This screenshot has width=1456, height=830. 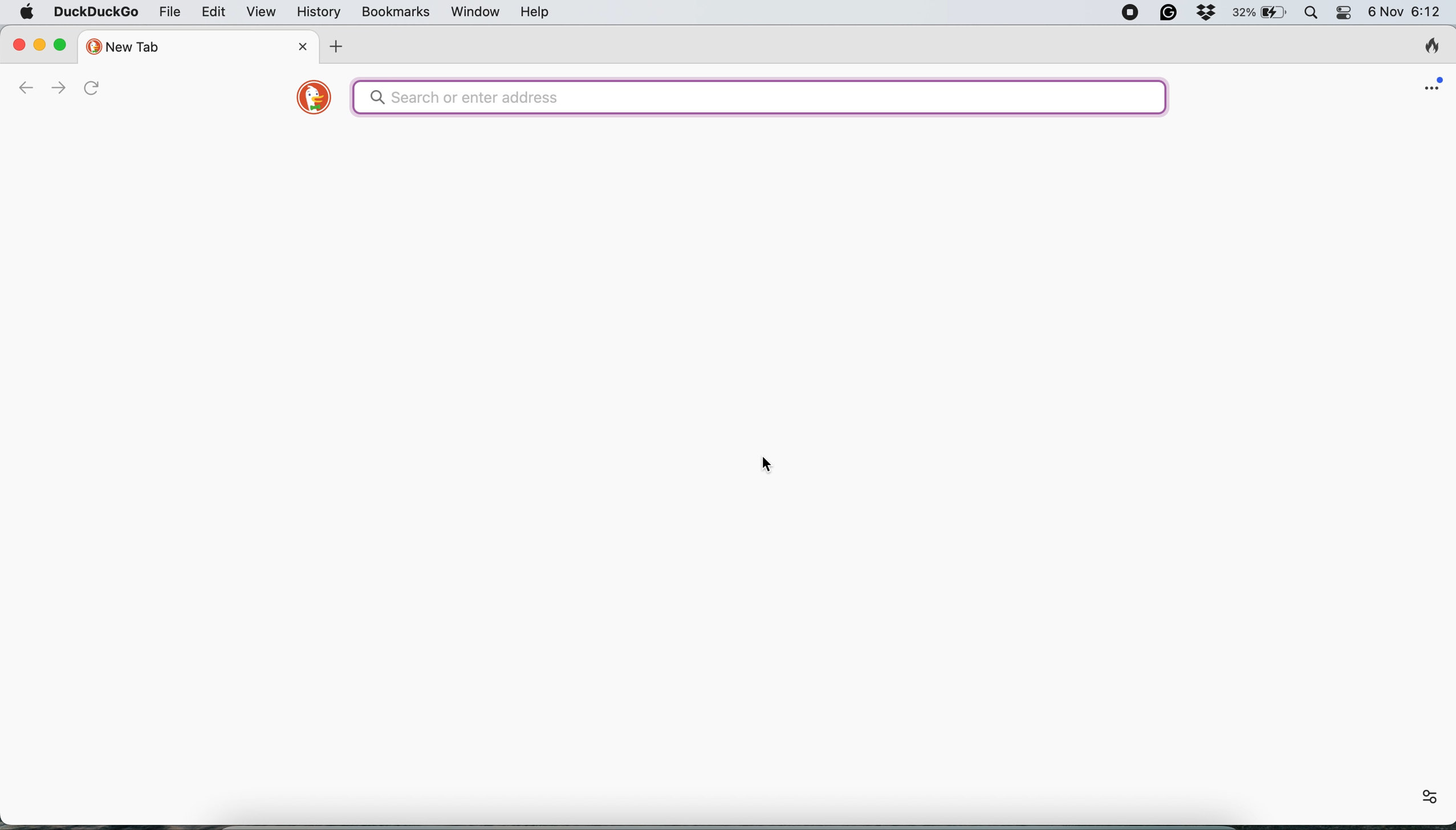 What do you see at coordinates (264, 14) in the screenshot?
I see `view` at bounding box center [264, 14].